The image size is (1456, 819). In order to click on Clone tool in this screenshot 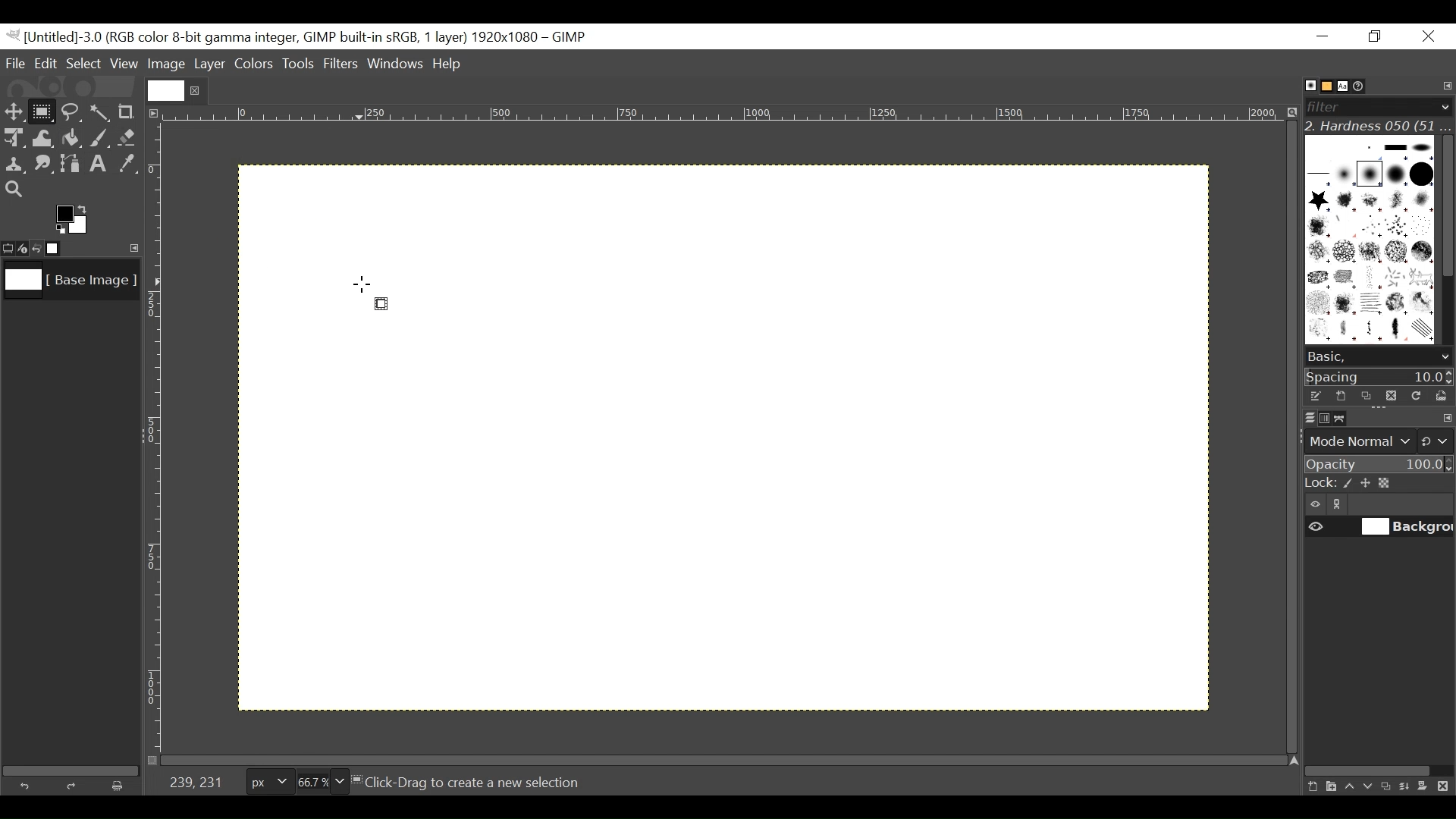, I will do `click(14, 165)`.